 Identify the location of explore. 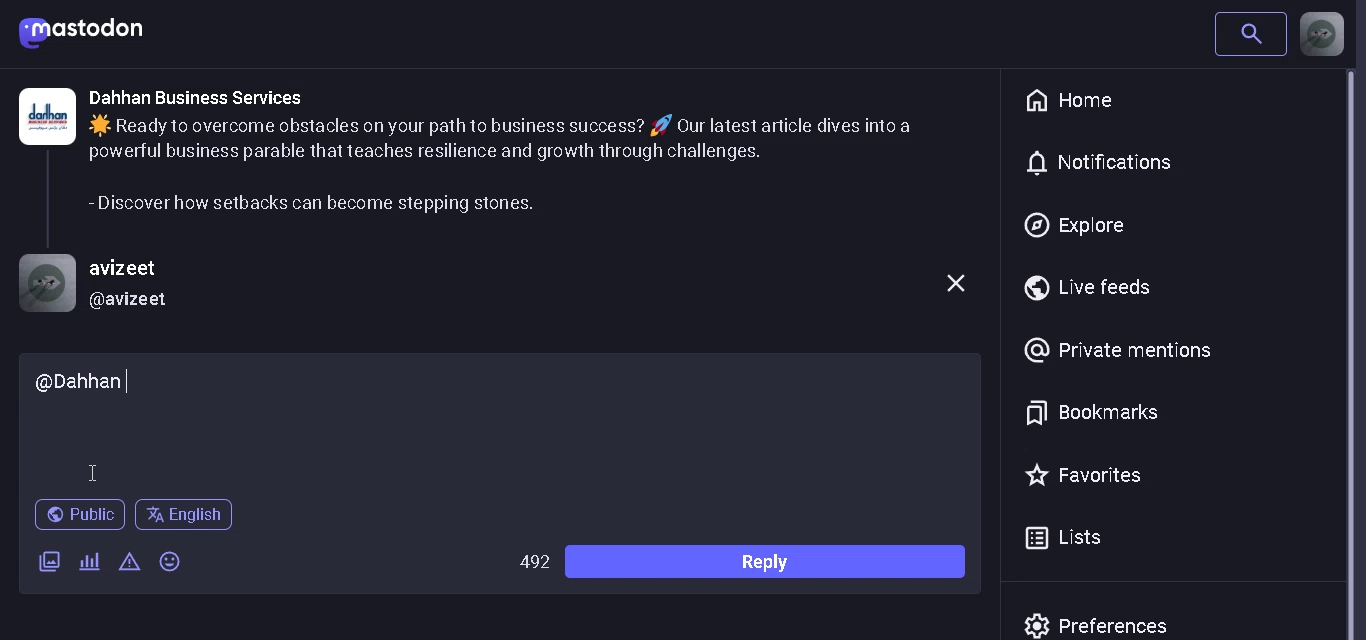
(1075, 227).